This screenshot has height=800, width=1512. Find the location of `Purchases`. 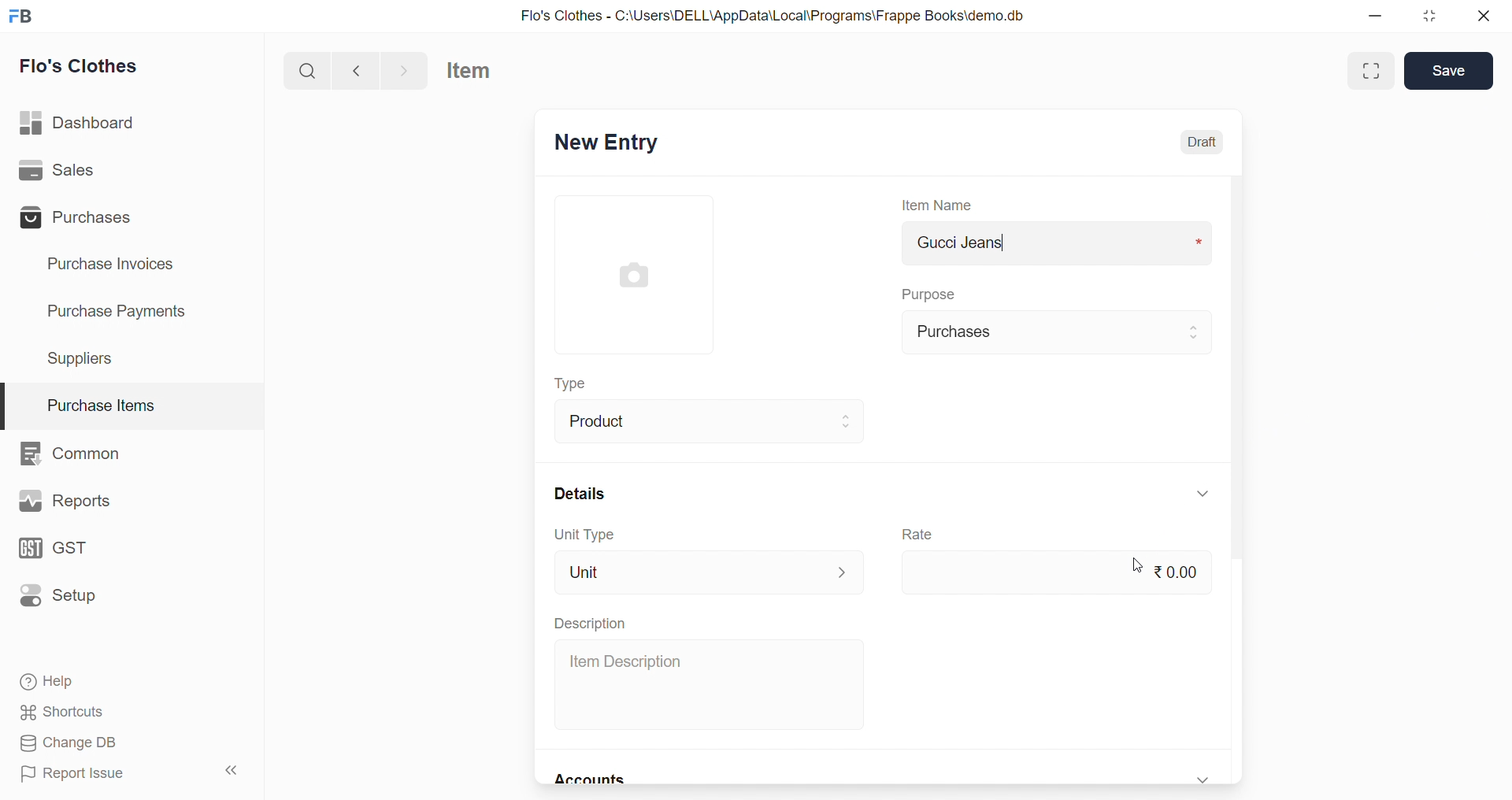

Purchases is located at coordinates (1058, 332).